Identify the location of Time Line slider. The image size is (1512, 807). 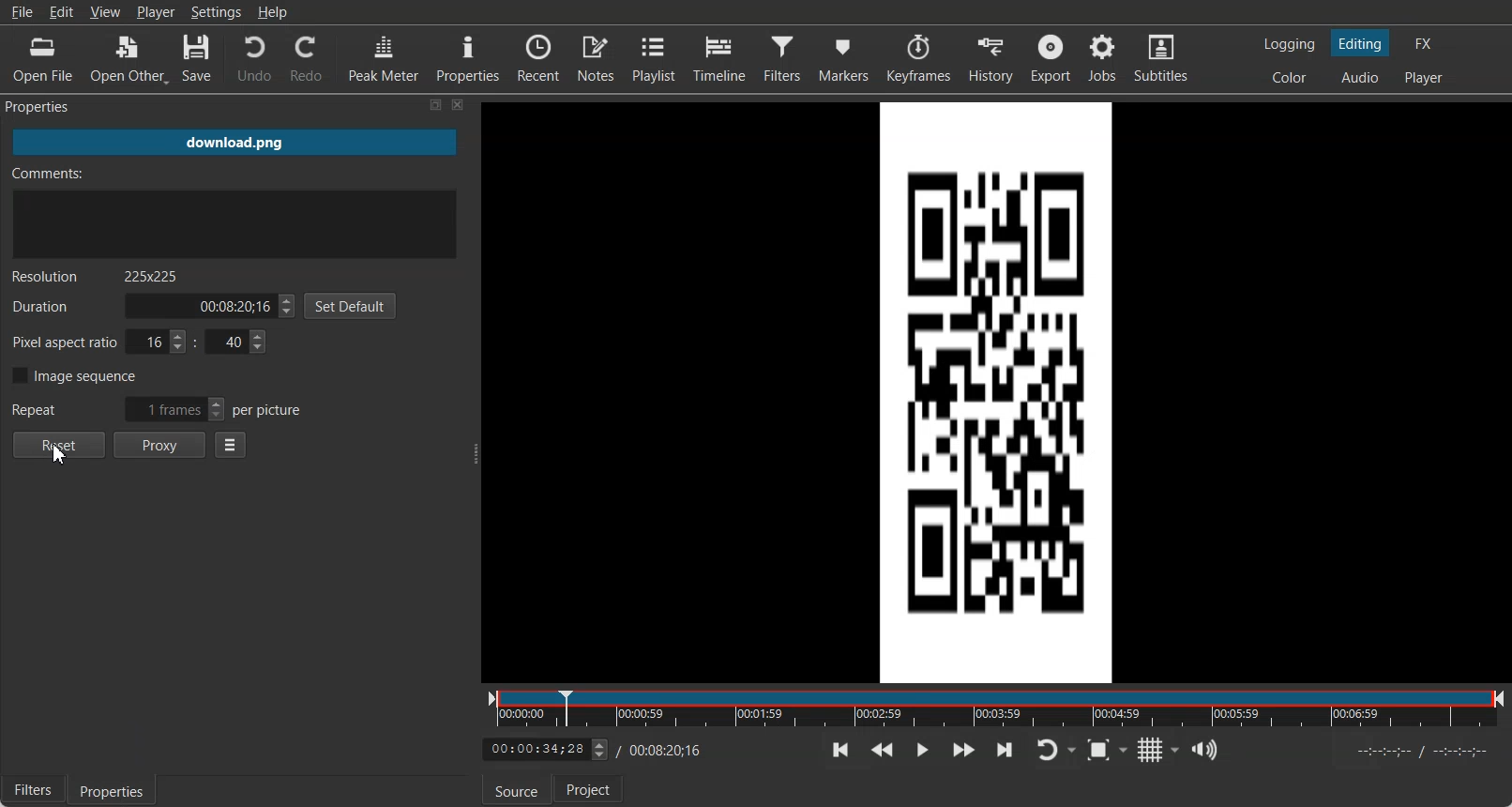
(996, 708).